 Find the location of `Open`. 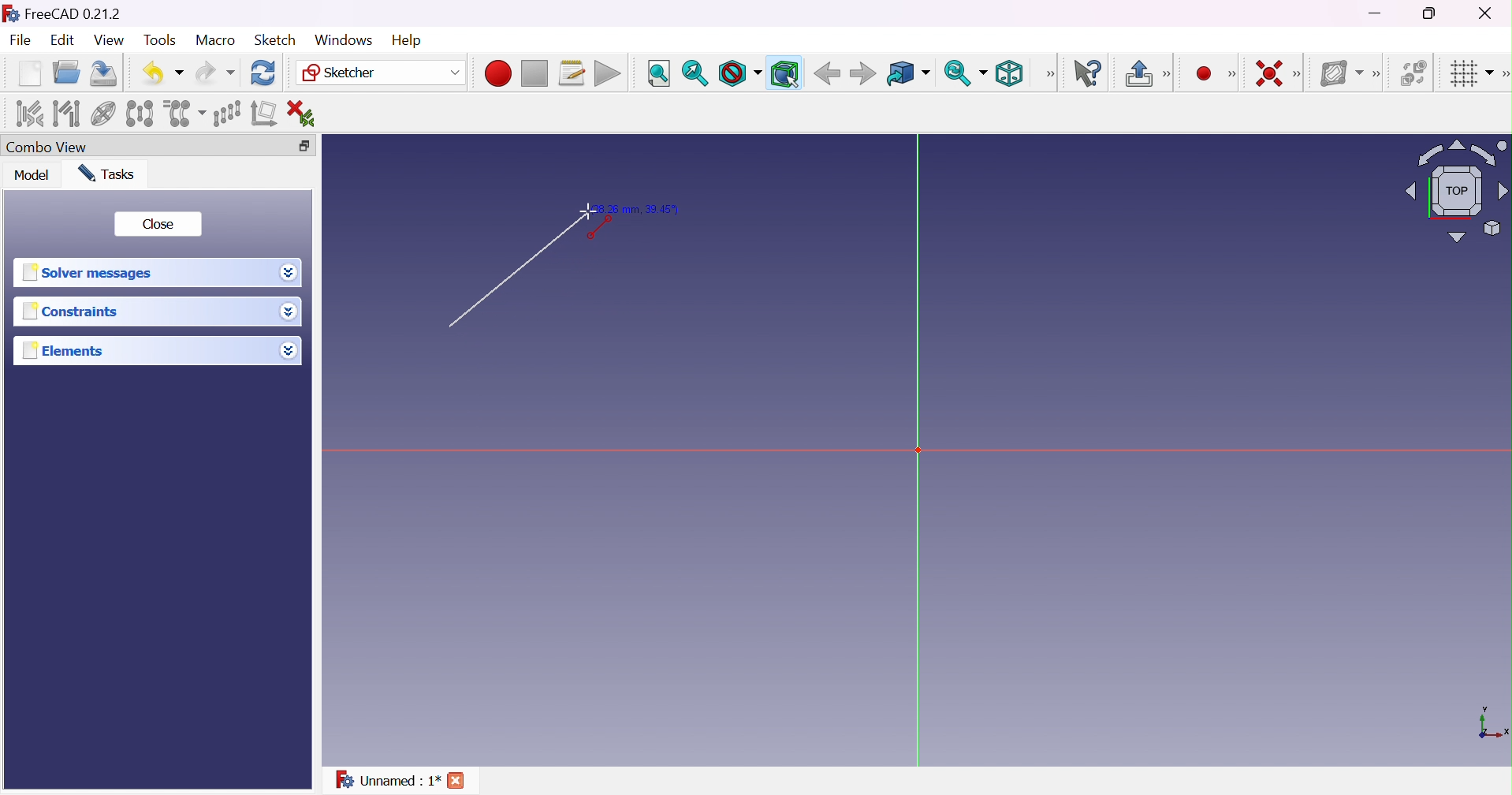

Open is located at coordinates (69, 72).